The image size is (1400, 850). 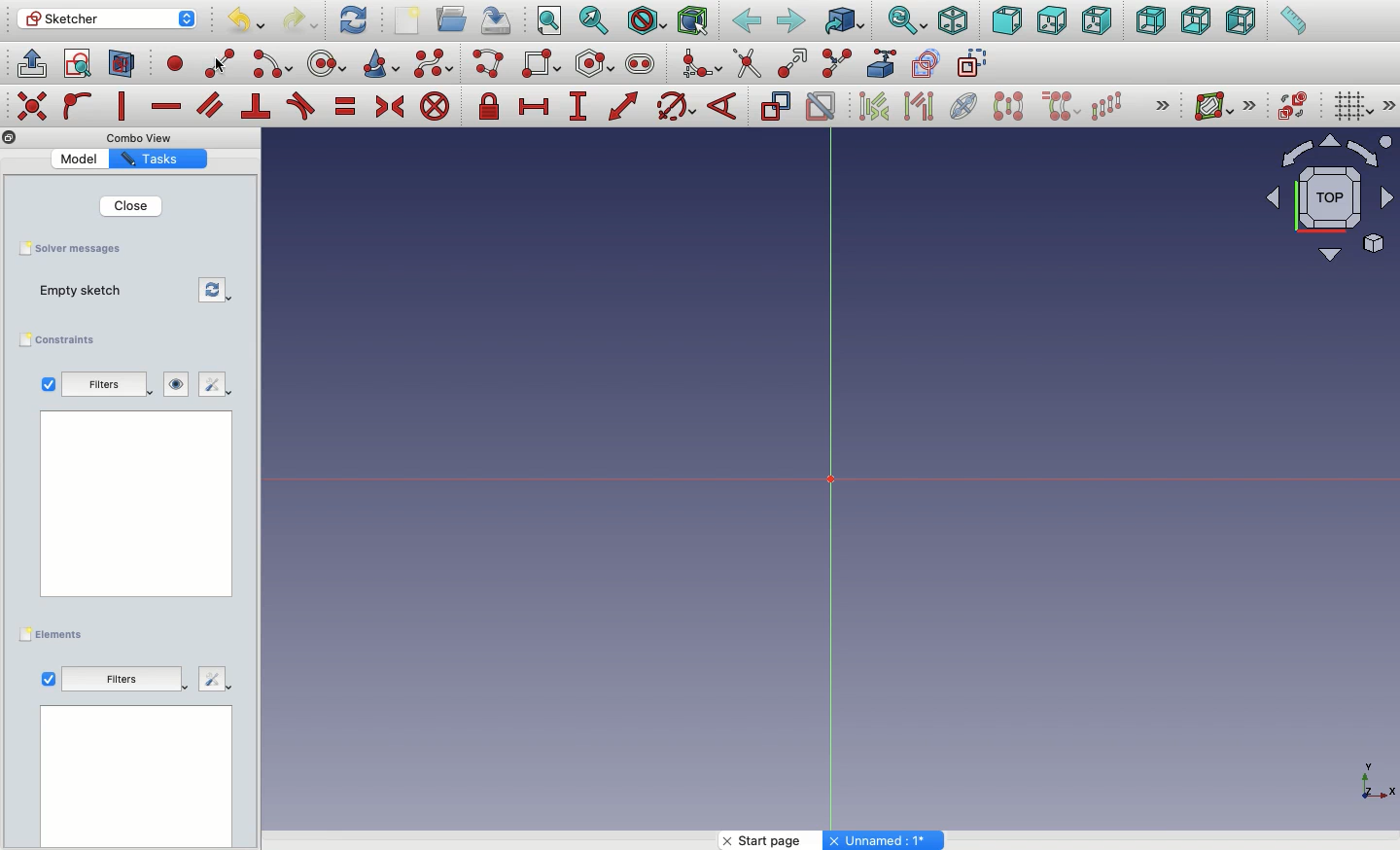 I want to click on , so click(x=1254, y=104).